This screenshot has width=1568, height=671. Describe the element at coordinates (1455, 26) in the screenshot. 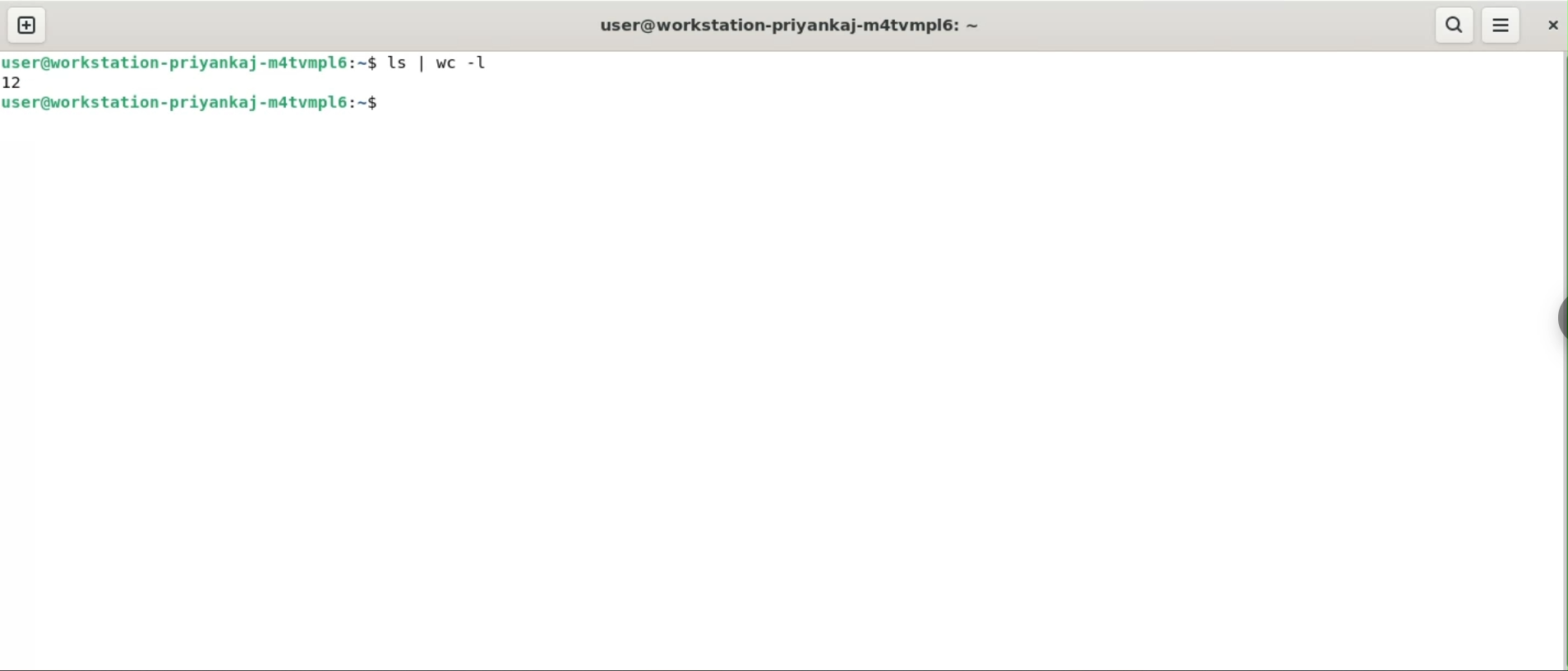

I see `search` at that location.